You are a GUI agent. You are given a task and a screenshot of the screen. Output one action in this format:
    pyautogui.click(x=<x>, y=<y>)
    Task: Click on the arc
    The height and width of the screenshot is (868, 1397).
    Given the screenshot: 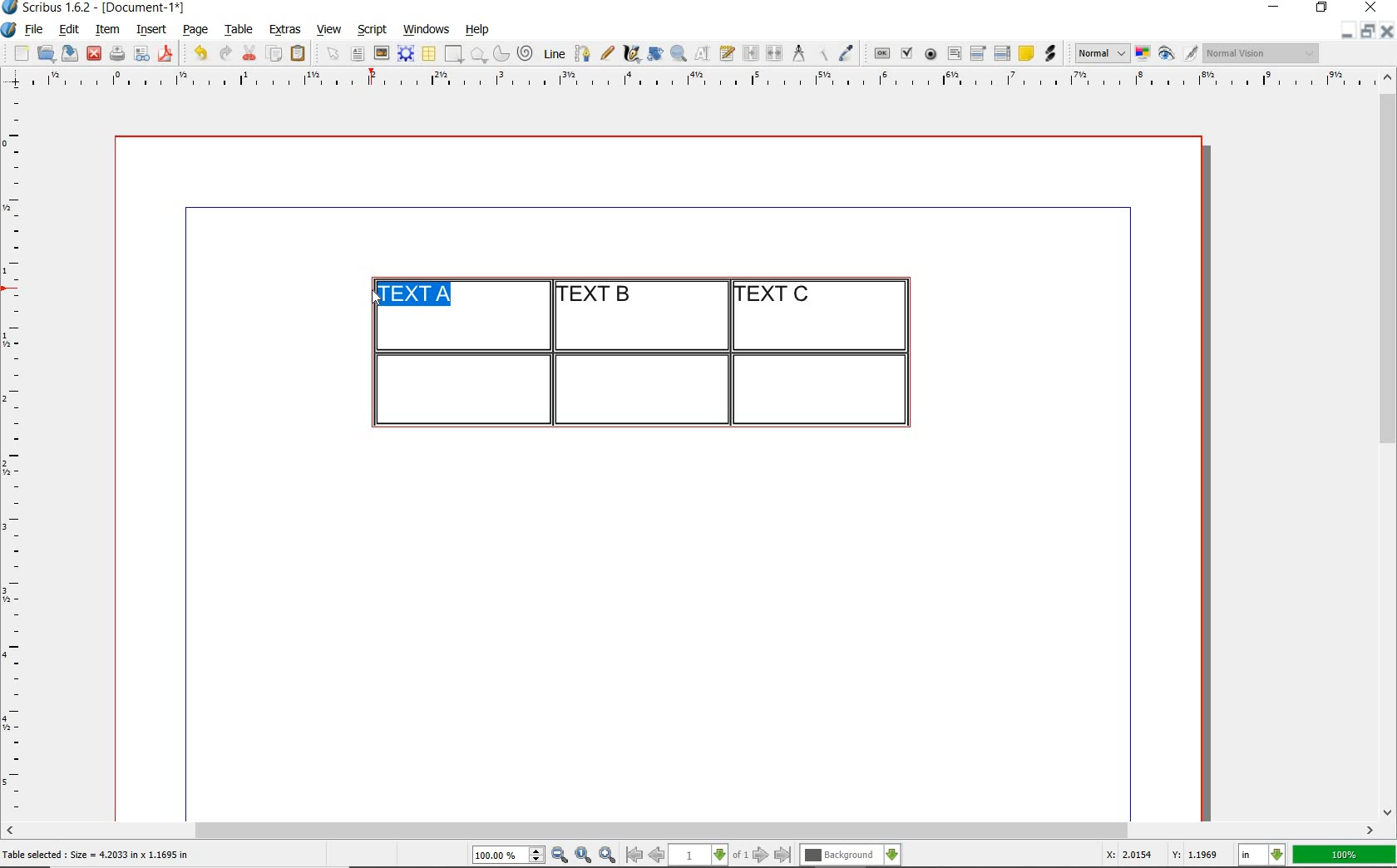 What is the action you would take?
    pyautogui.click(x=501, y=53)
    